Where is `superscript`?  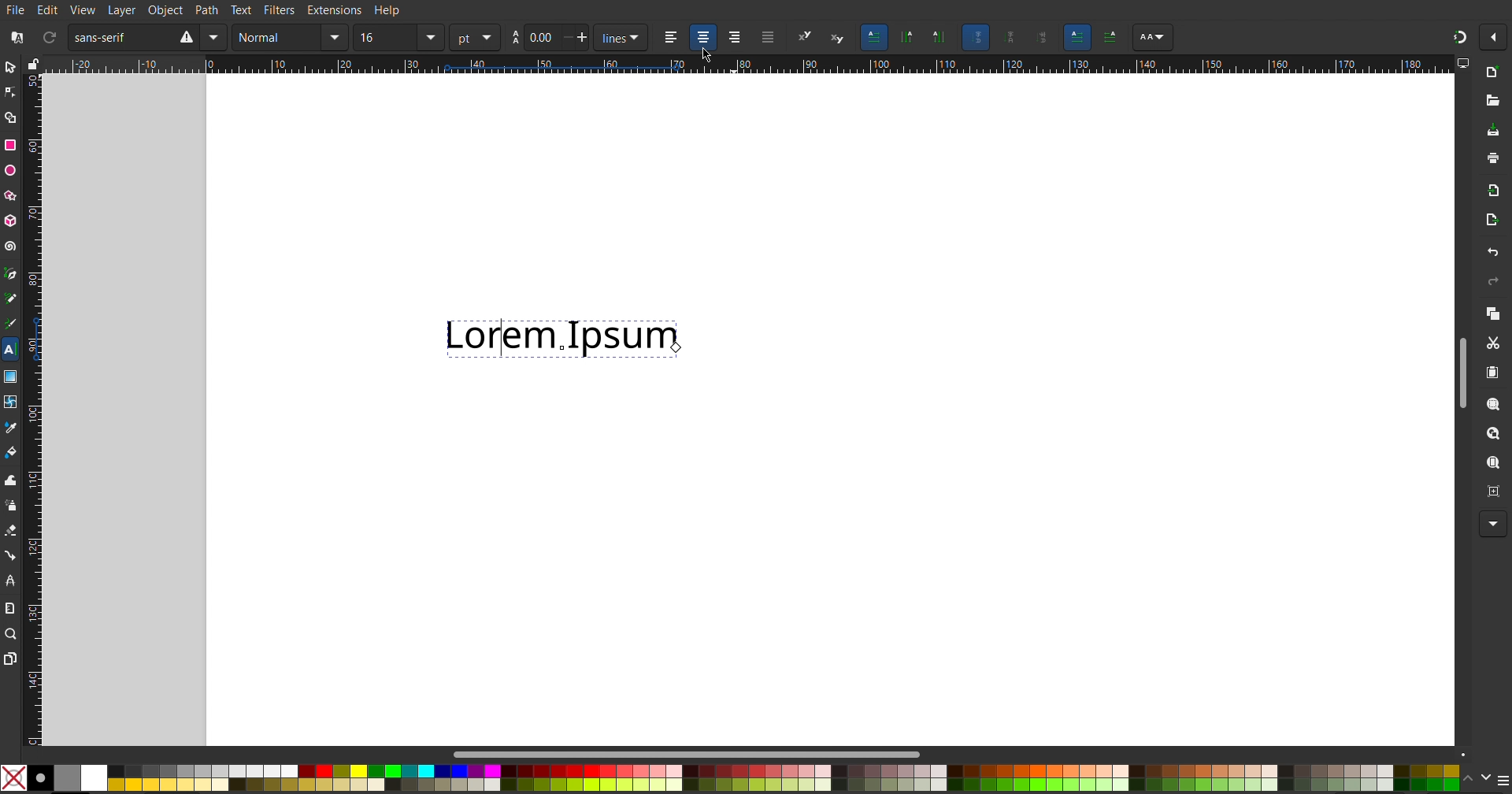
superscript is located at coordinates (807, 39).